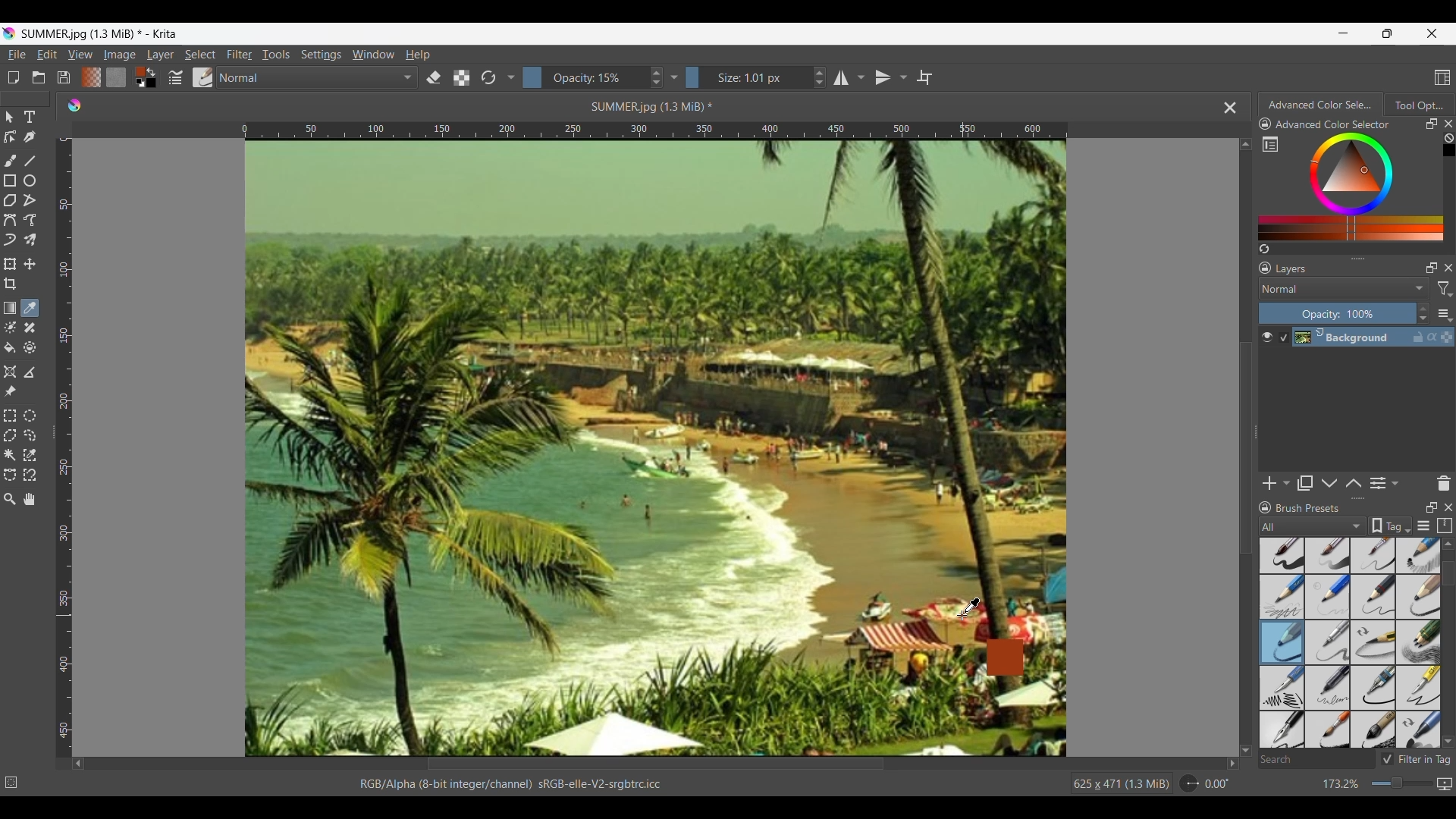  Describe the element at coordinates (516, 783) in the screenshot. I see `RGB/Alpha (8-bit integer/channel) sRGB-elle-V2-srgbtrc.icc` at that location.